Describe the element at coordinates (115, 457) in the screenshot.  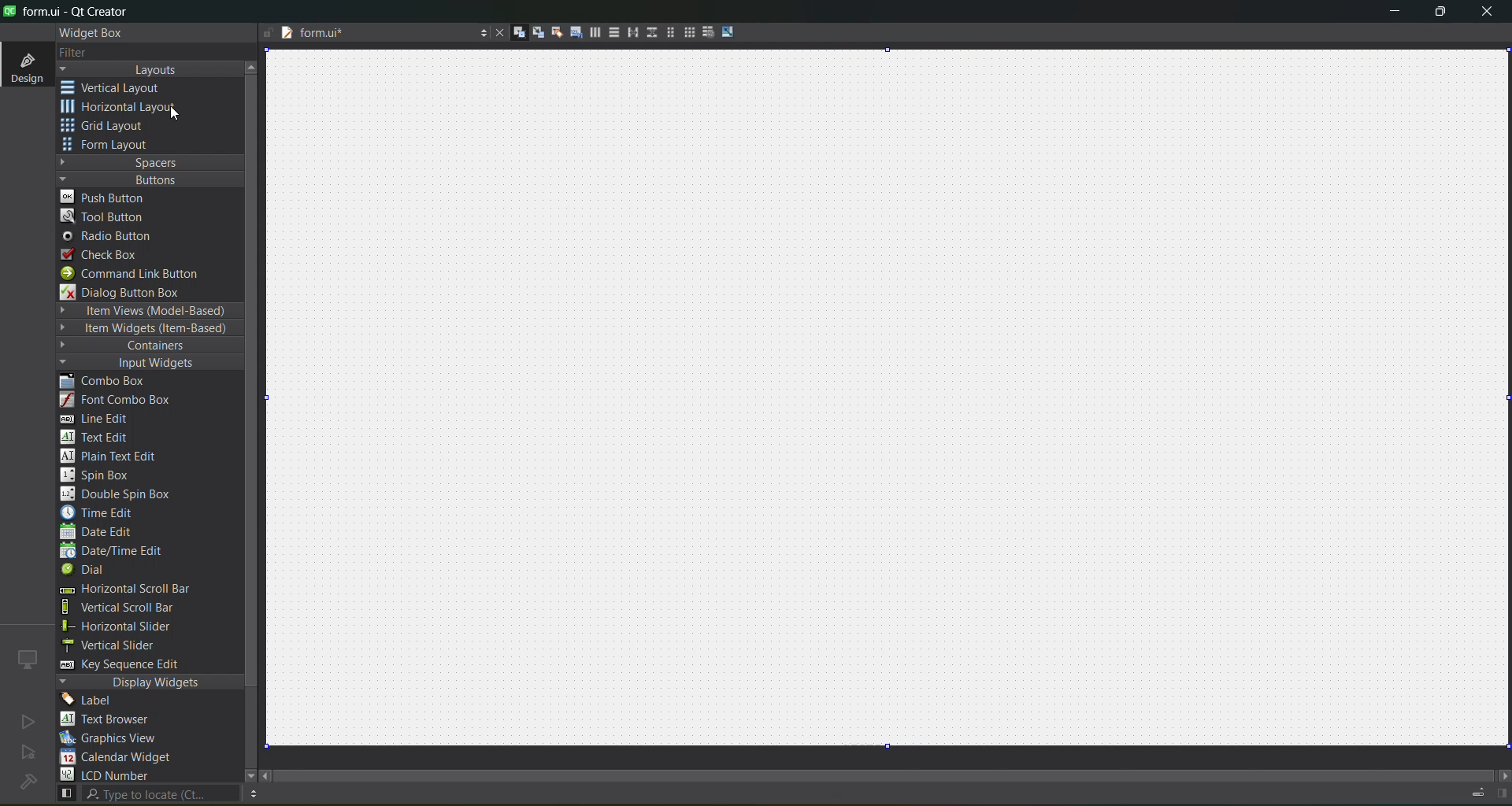
I see `plain text edit` at that location.